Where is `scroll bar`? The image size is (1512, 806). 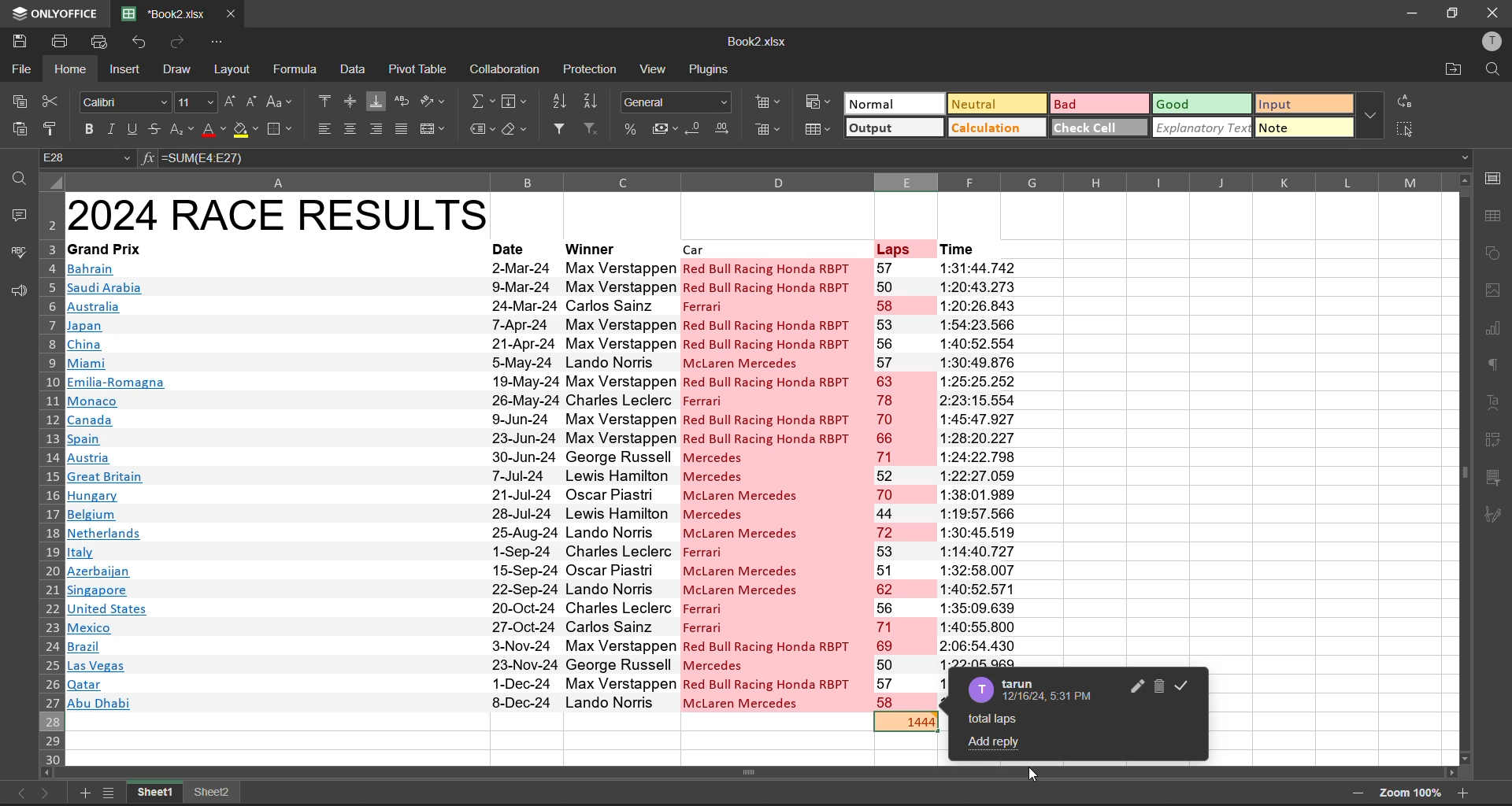 scroll bar is located at coordinates (1467, 468).